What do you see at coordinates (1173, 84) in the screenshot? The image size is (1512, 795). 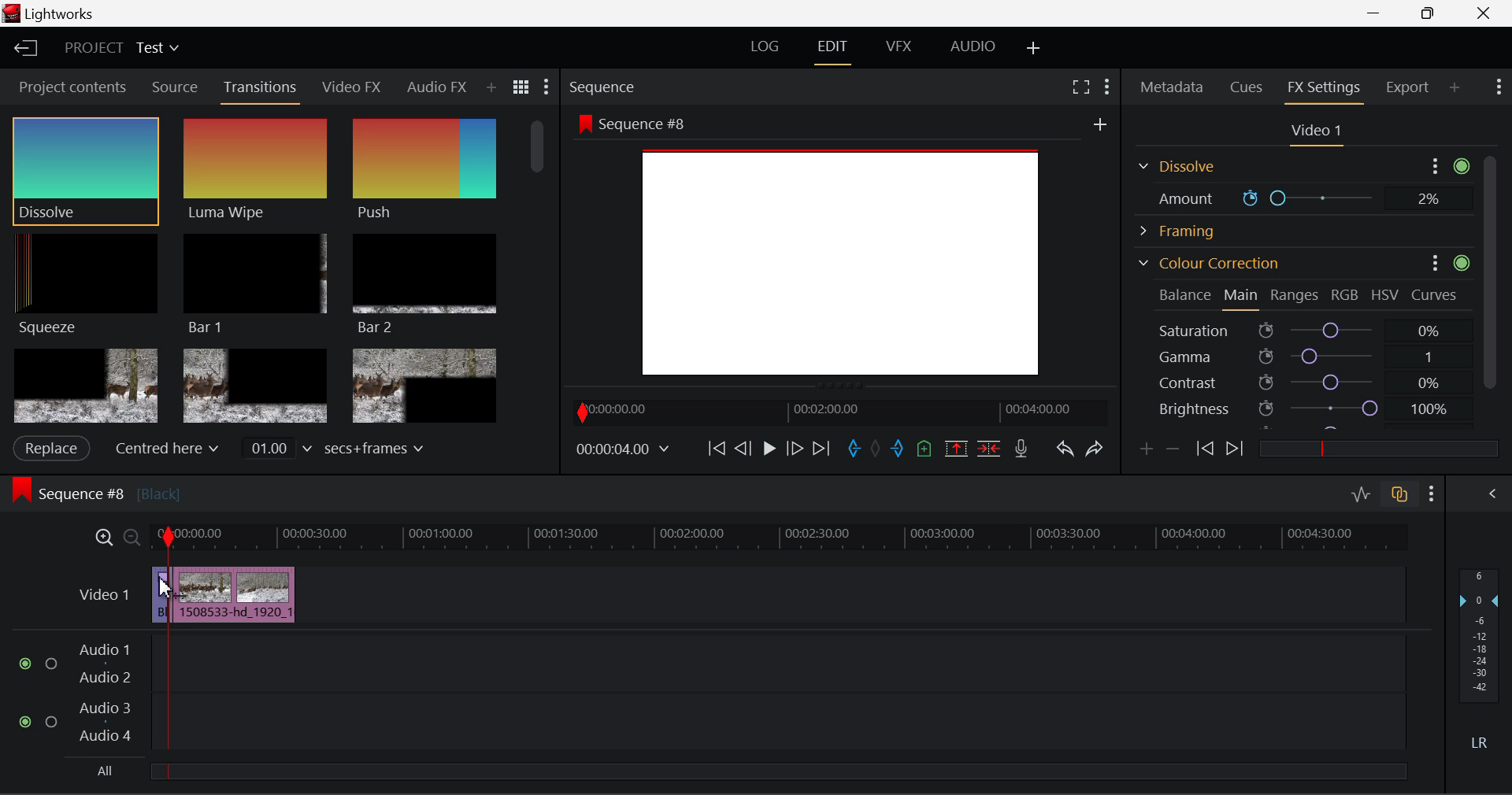 I see `Metadata Panel` at bounding box center [1173, 84].